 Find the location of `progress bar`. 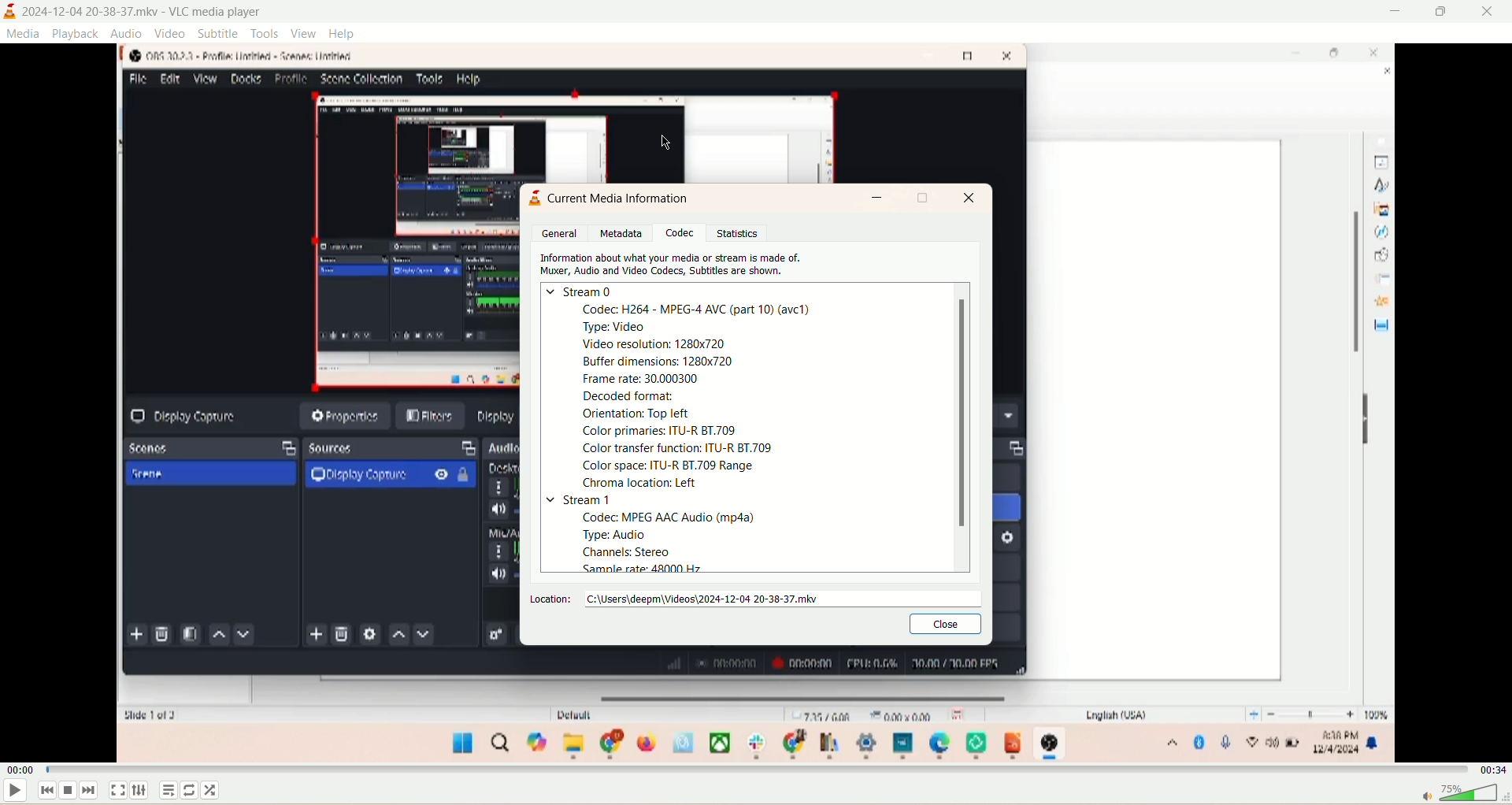

progress bar is located at coordinates (754, 770).